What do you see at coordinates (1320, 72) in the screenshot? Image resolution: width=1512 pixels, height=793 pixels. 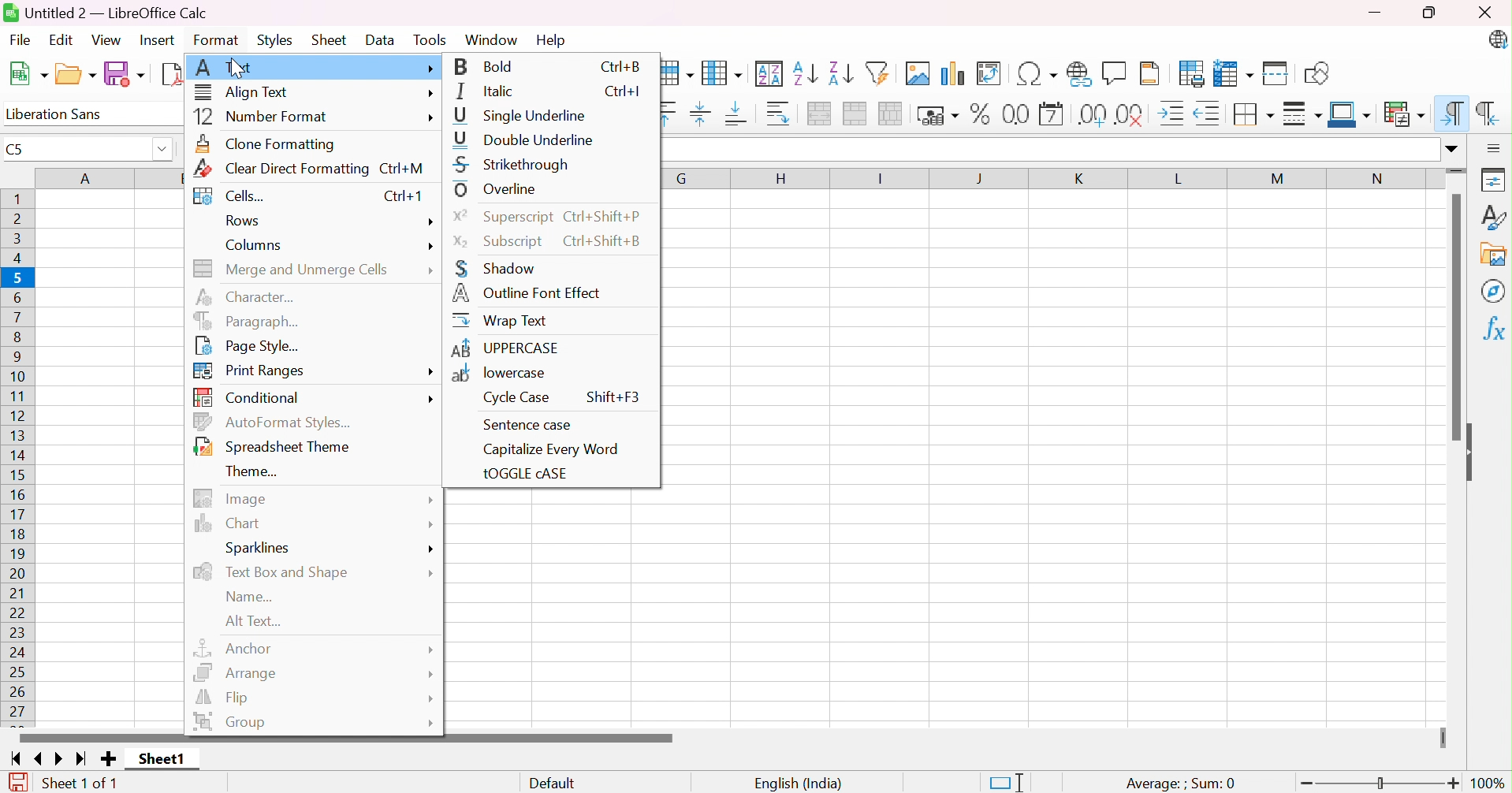 I see `Show Draw  Functions` at bounding box center [1320, 72].